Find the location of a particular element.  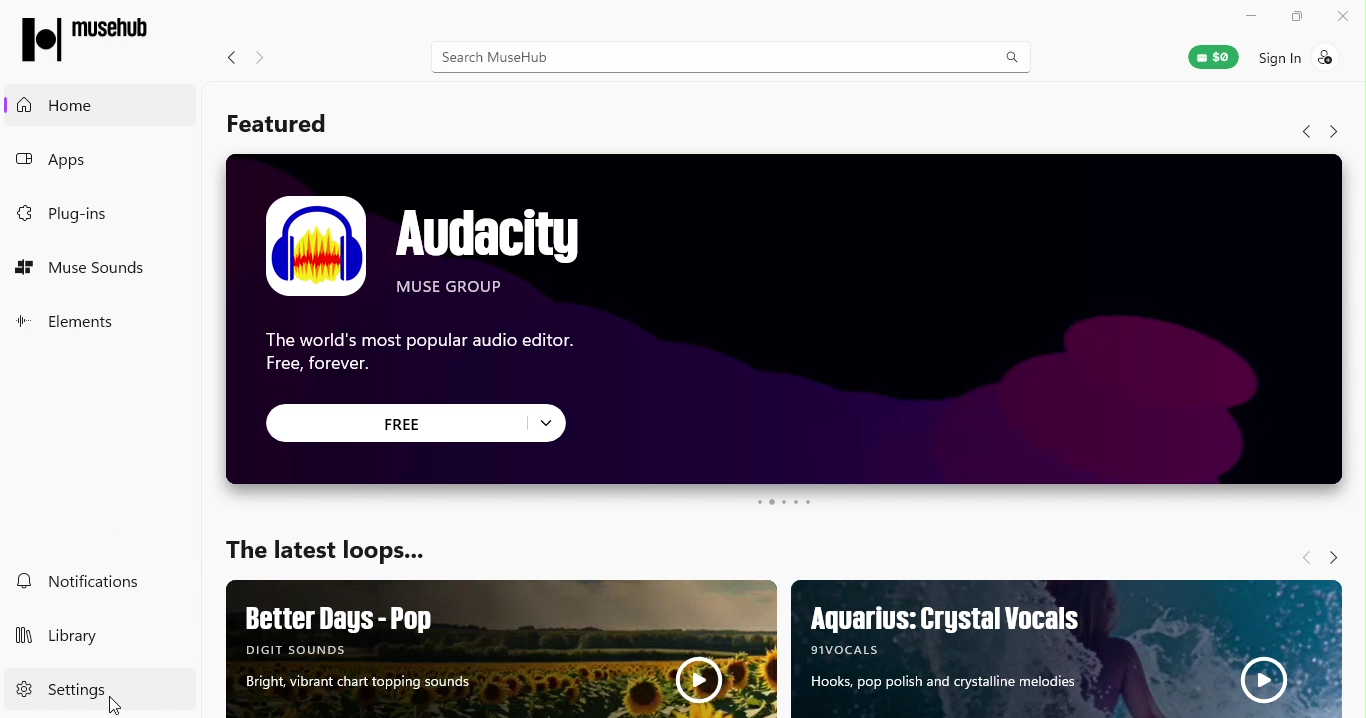

Plug-ins is located at coordinates (63, 216).